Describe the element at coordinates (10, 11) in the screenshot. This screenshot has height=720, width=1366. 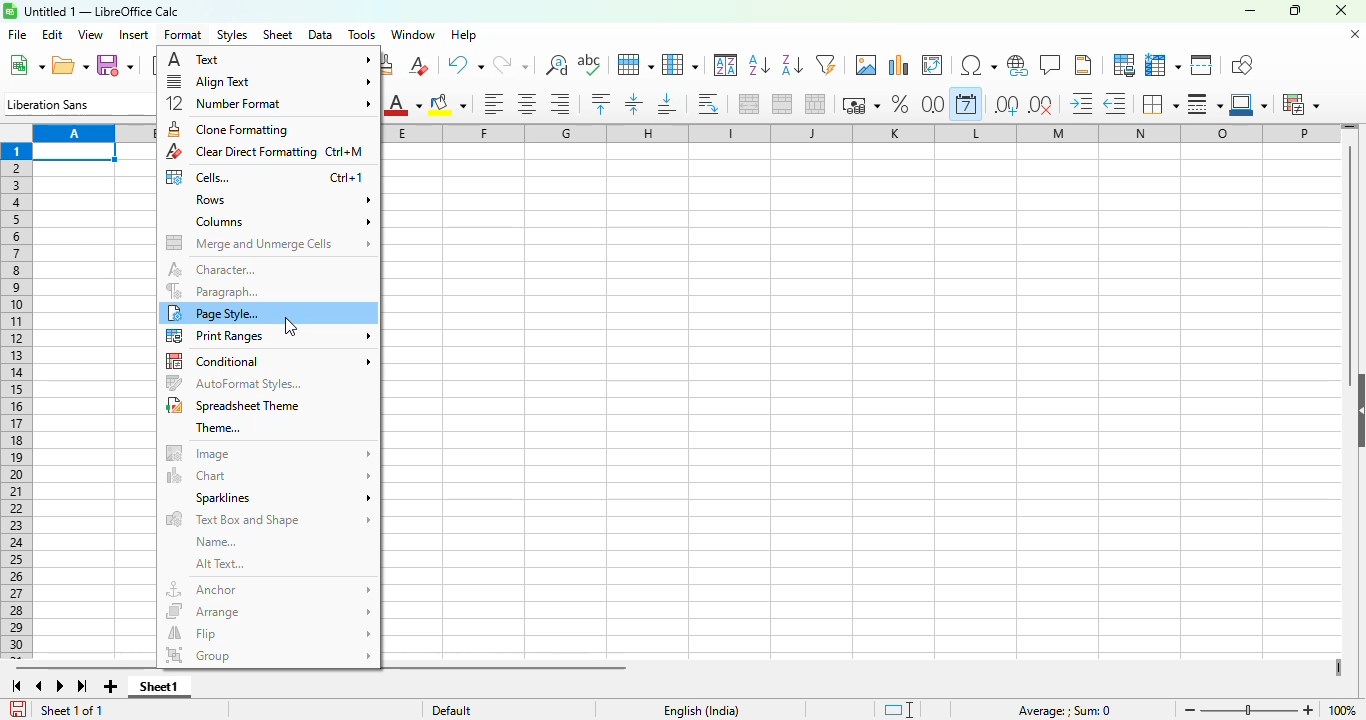
I see `logo` at that location.